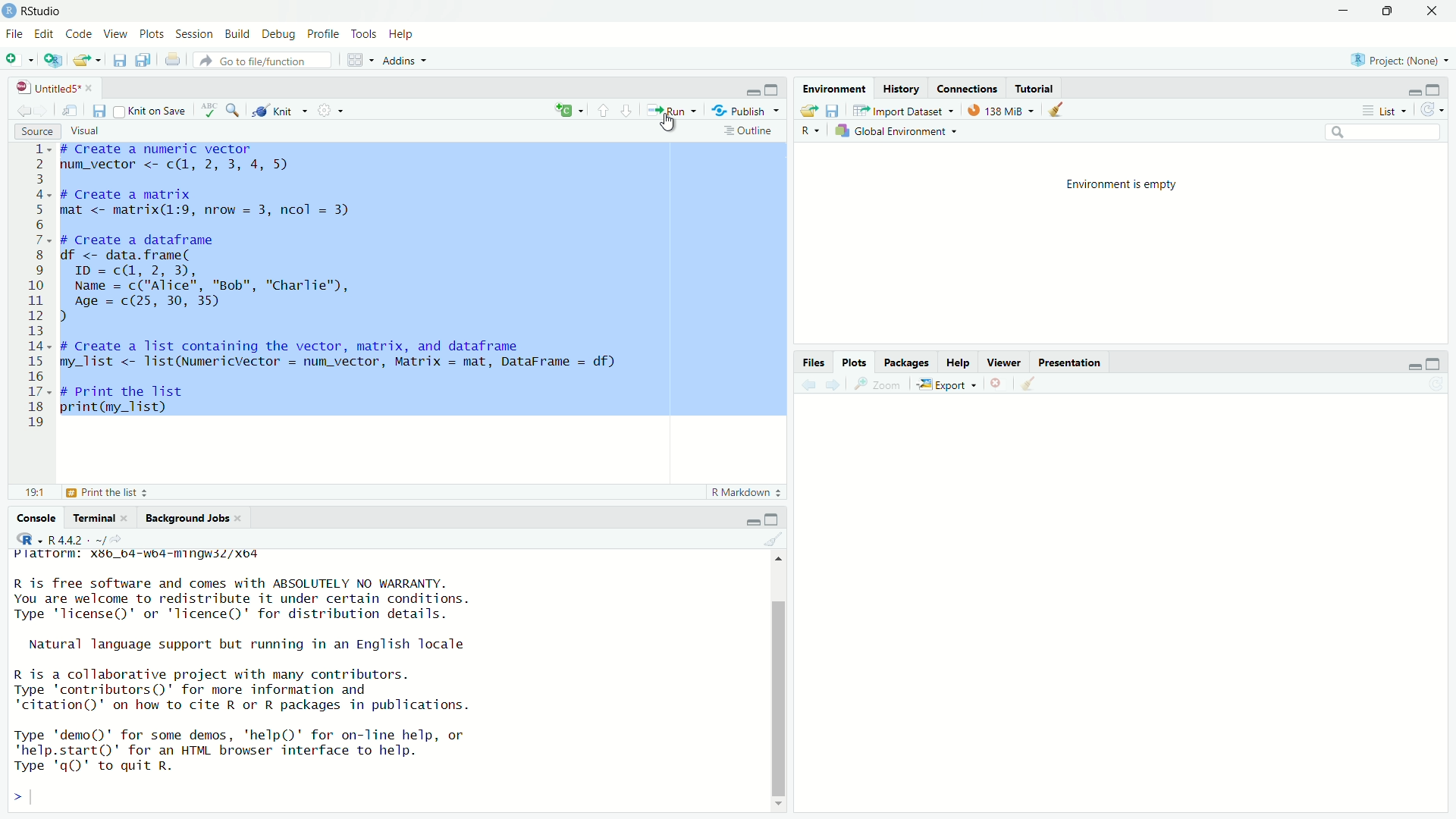 The height and width of the screenshot is (819, 1456). I want to click on print, so click(174, 61).